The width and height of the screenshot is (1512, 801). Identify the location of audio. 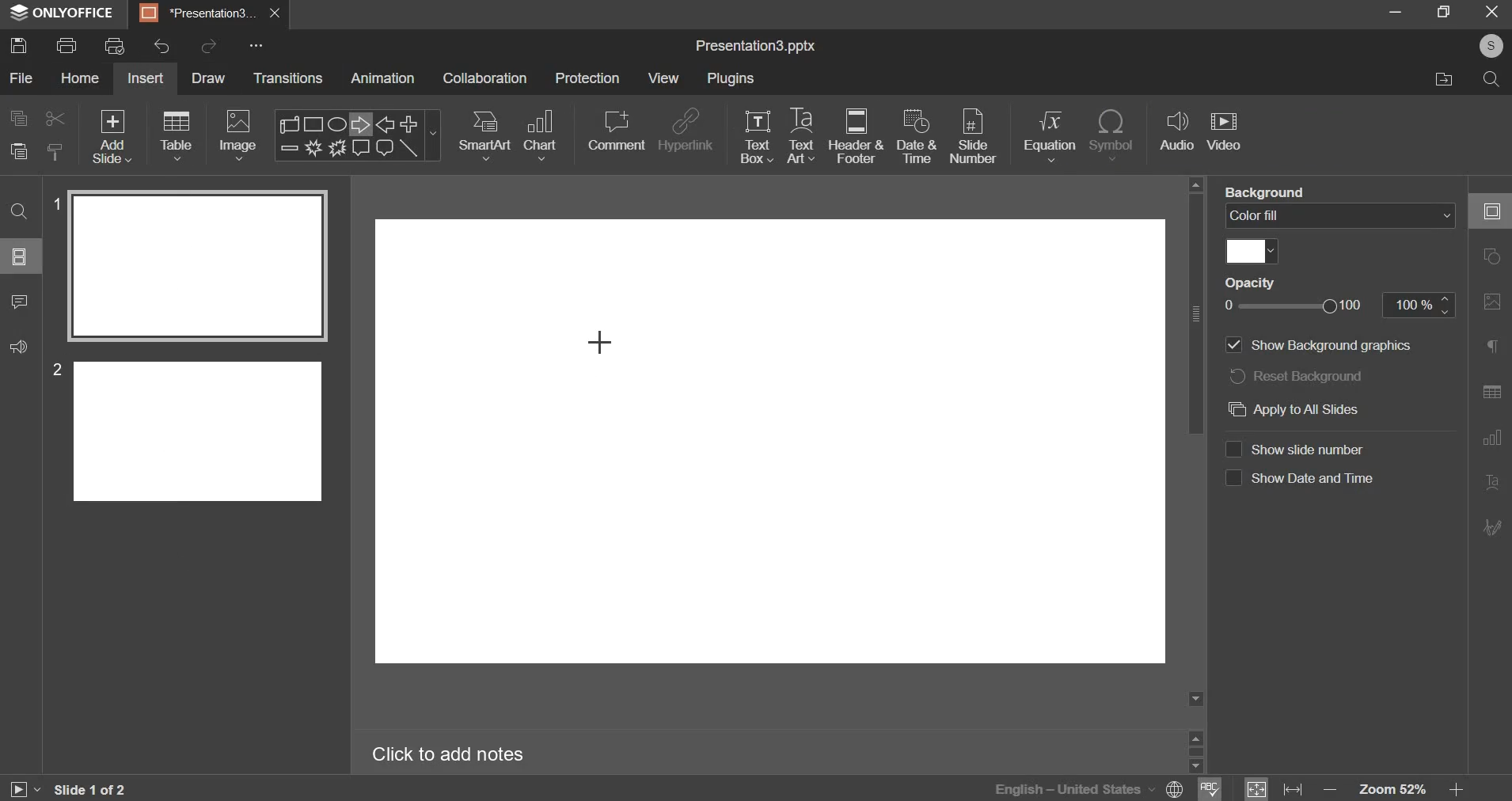
(1178, 131).